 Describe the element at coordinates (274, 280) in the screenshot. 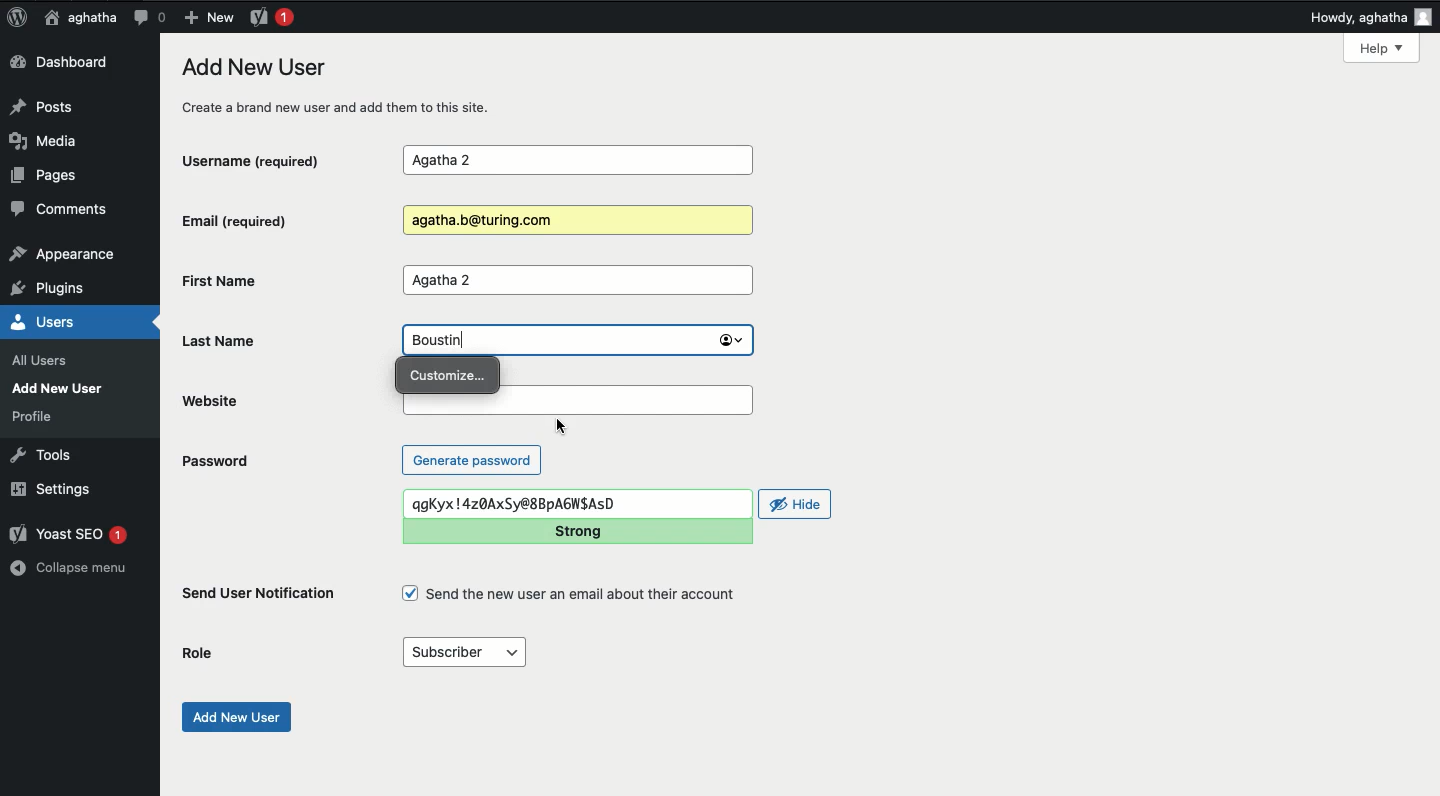

I see `First Name` at that location.